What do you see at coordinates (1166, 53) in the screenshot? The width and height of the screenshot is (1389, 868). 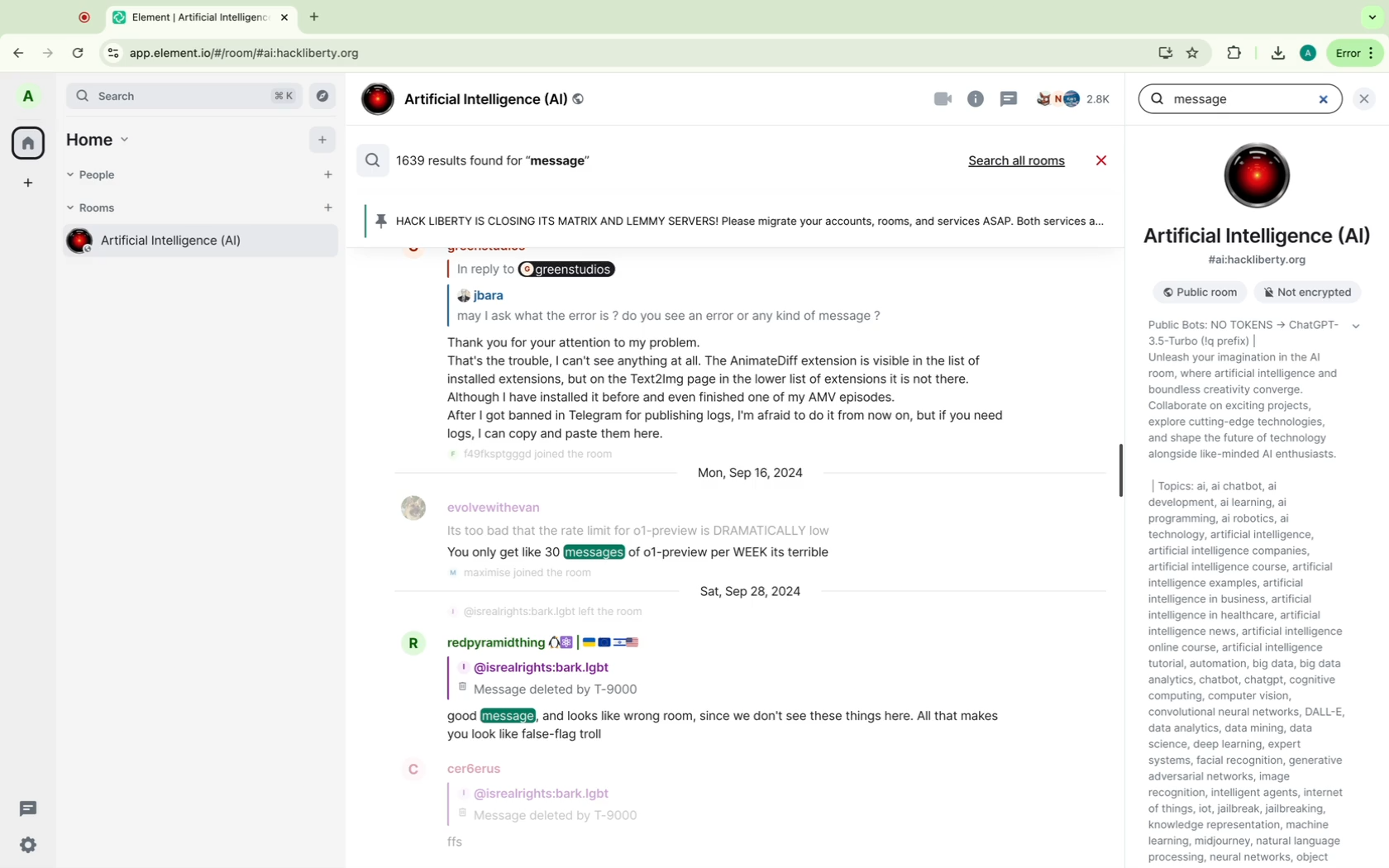 I see `install element` at bounding box center [1166, 53].